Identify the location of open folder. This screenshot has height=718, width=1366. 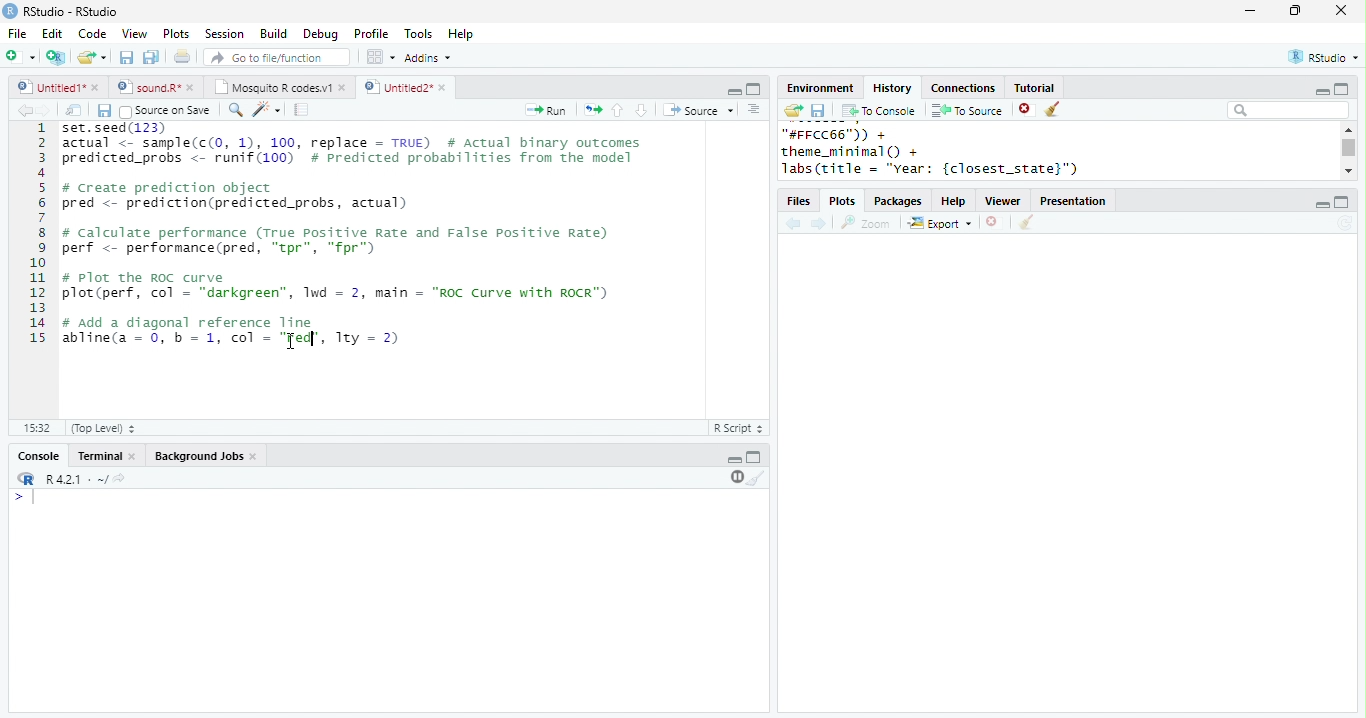
(792, 110).